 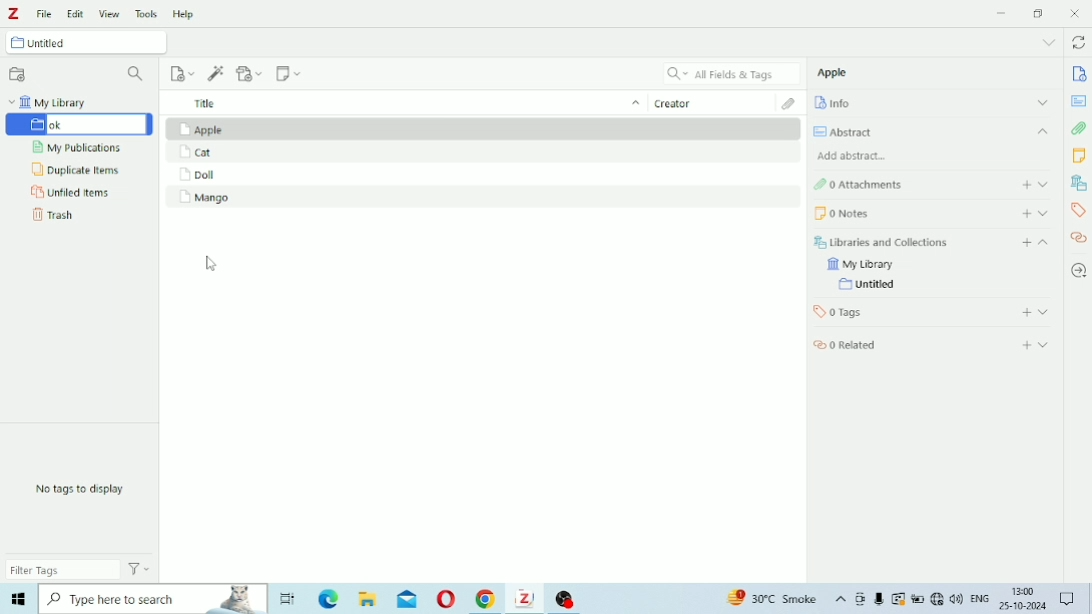 What do you see at coordinates (1079, 42) in the screenshot?
I see `Sync` at bounding box center [1079, 42].